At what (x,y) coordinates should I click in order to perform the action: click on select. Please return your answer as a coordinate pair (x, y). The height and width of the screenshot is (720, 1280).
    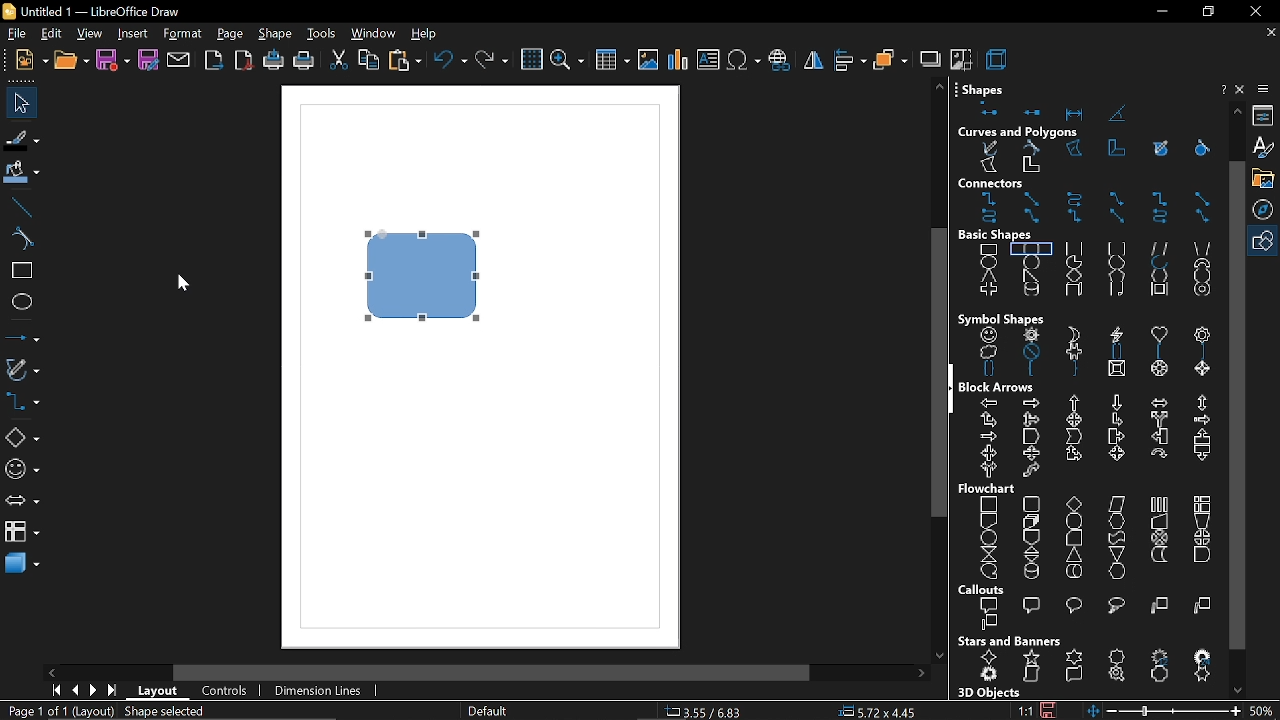
    Looking at the image, I should click on (18, 102).